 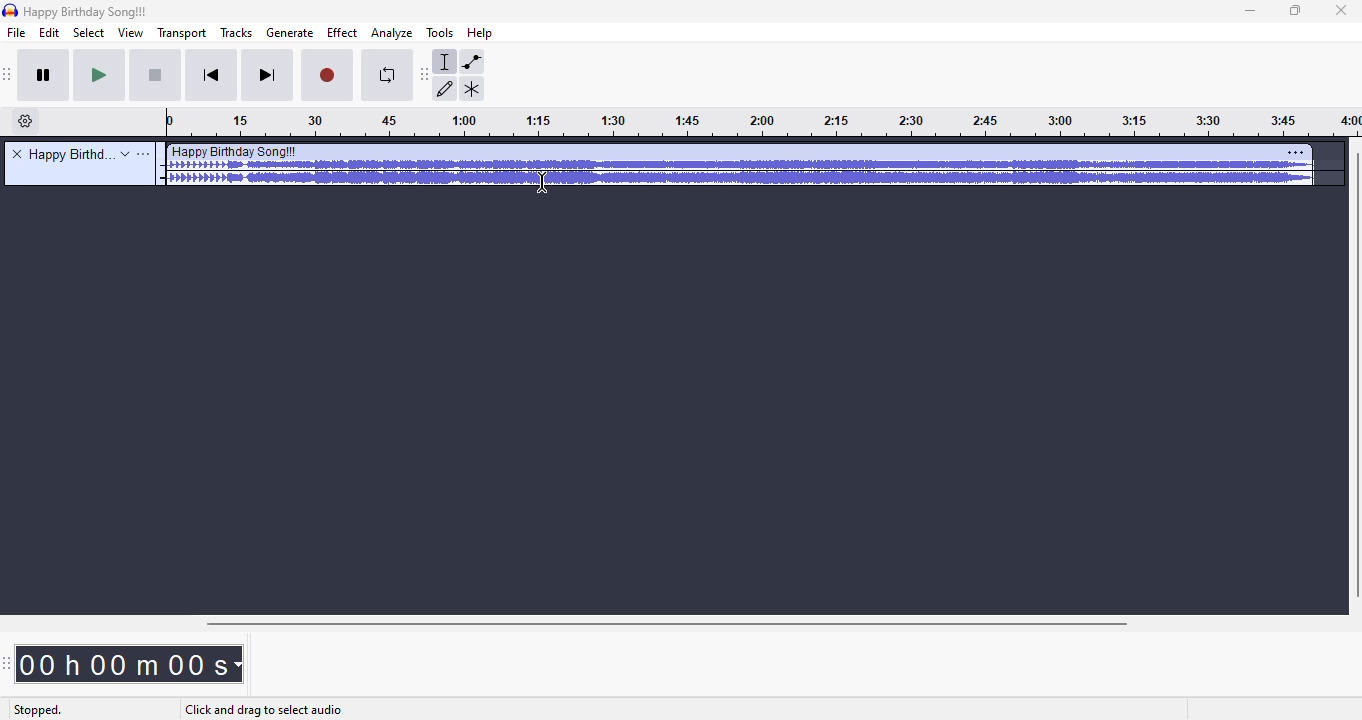 I want to click on title, so click(x=72, y=154).